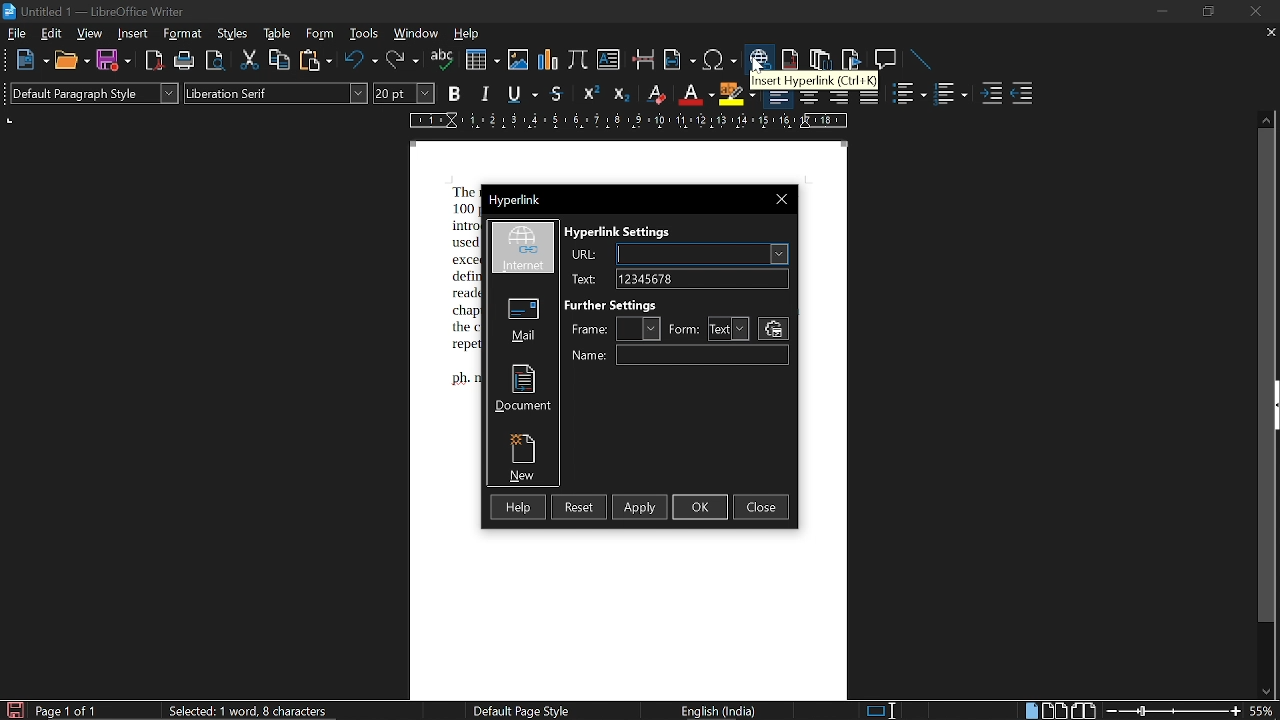 This screenshot has height=720, width=1280. What do you see at coordinates (992, 94) in the screenshot?
I see `increase indent` at bounding box center [992, 94].